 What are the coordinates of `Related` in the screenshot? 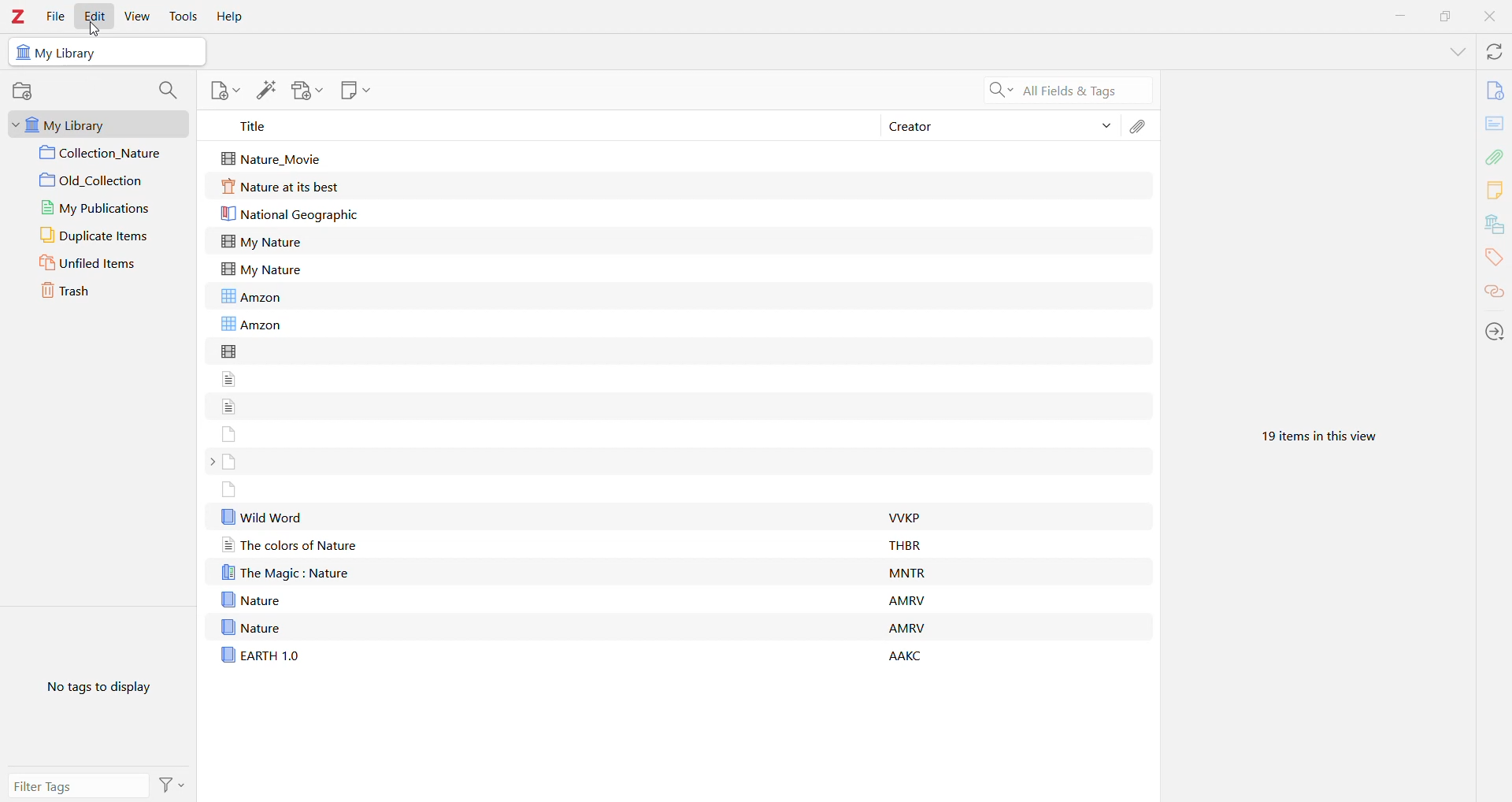 It's located at (1494, 293).